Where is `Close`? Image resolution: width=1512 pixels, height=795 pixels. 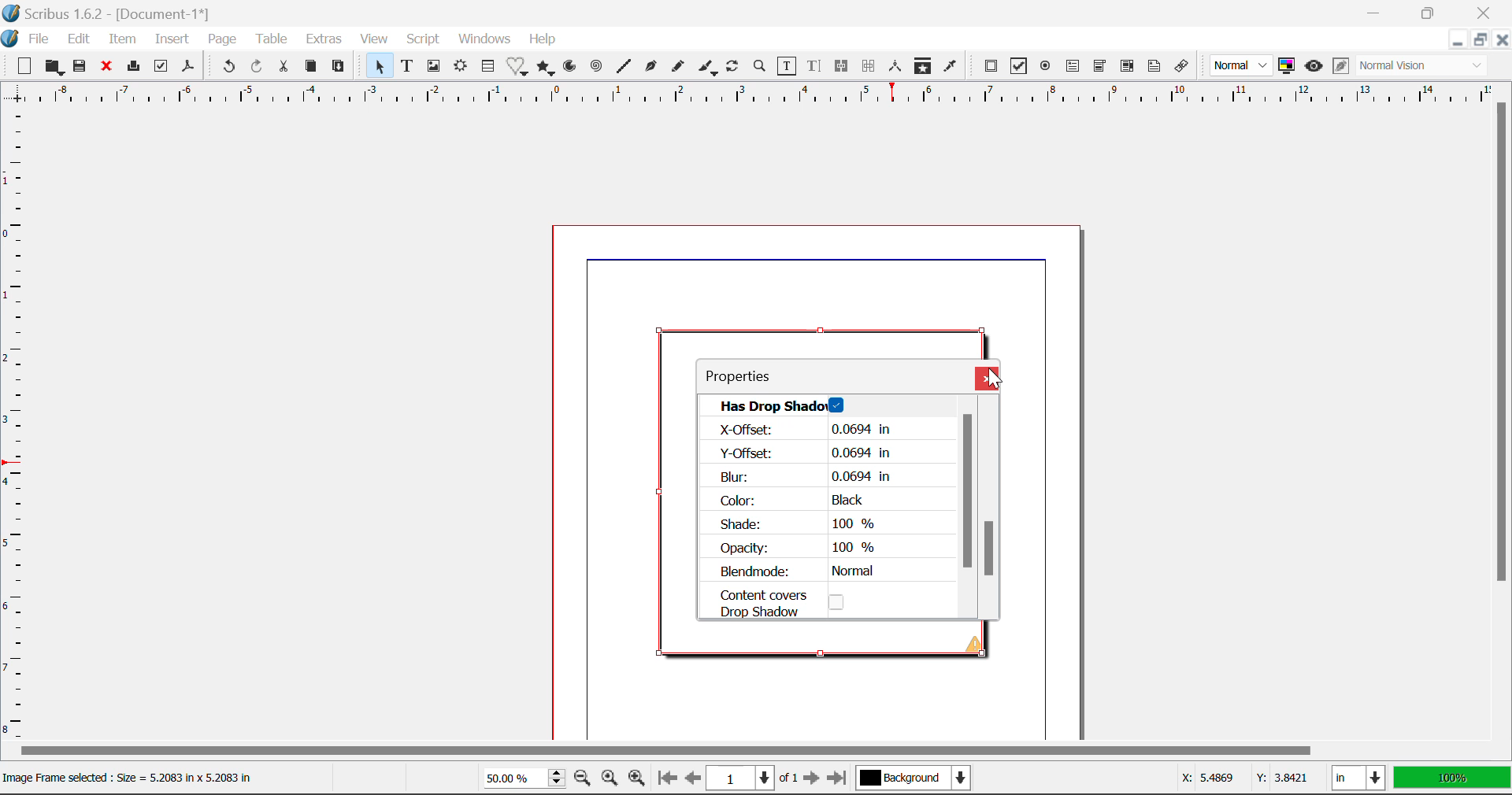 Close is located at coordinates (988, 380).